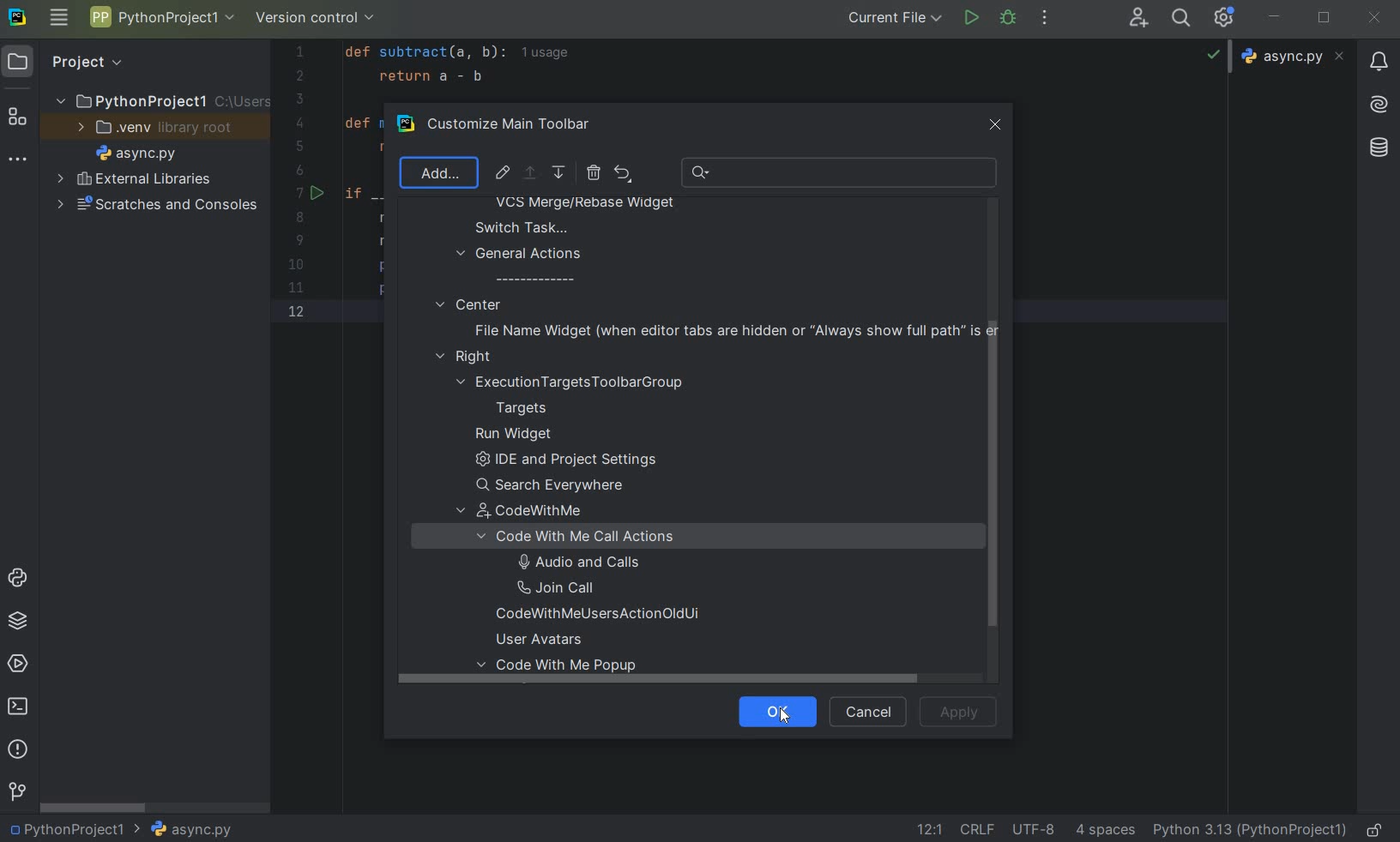 The height and width of the screenshot is (842, 1400). Describe the element at coordinates (990, 498) in the screenshot. I see `scrollbar` at that location.